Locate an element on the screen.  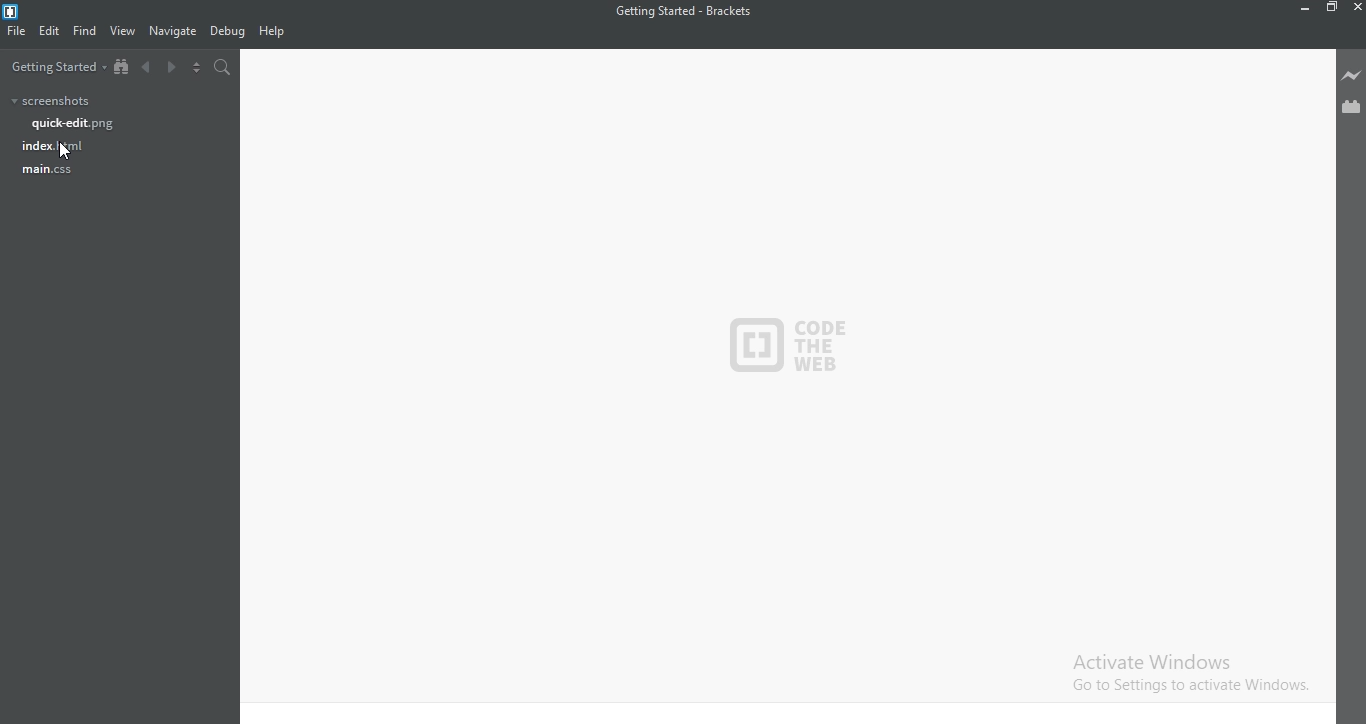
Edit is located at coordinates (49, 32).